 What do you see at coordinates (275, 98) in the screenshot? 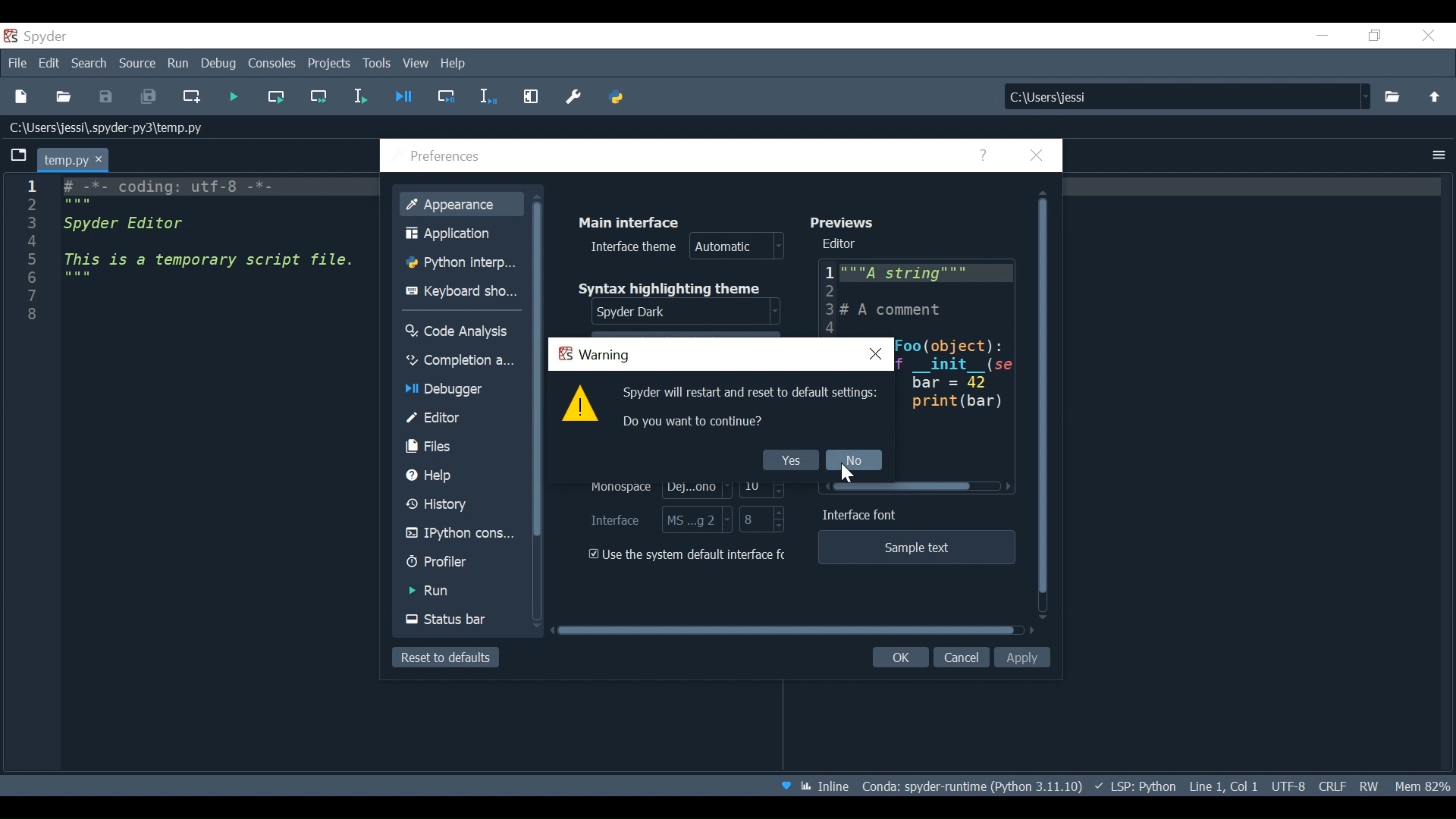
I see `Run the current cell` at bounding box center [275, 98].